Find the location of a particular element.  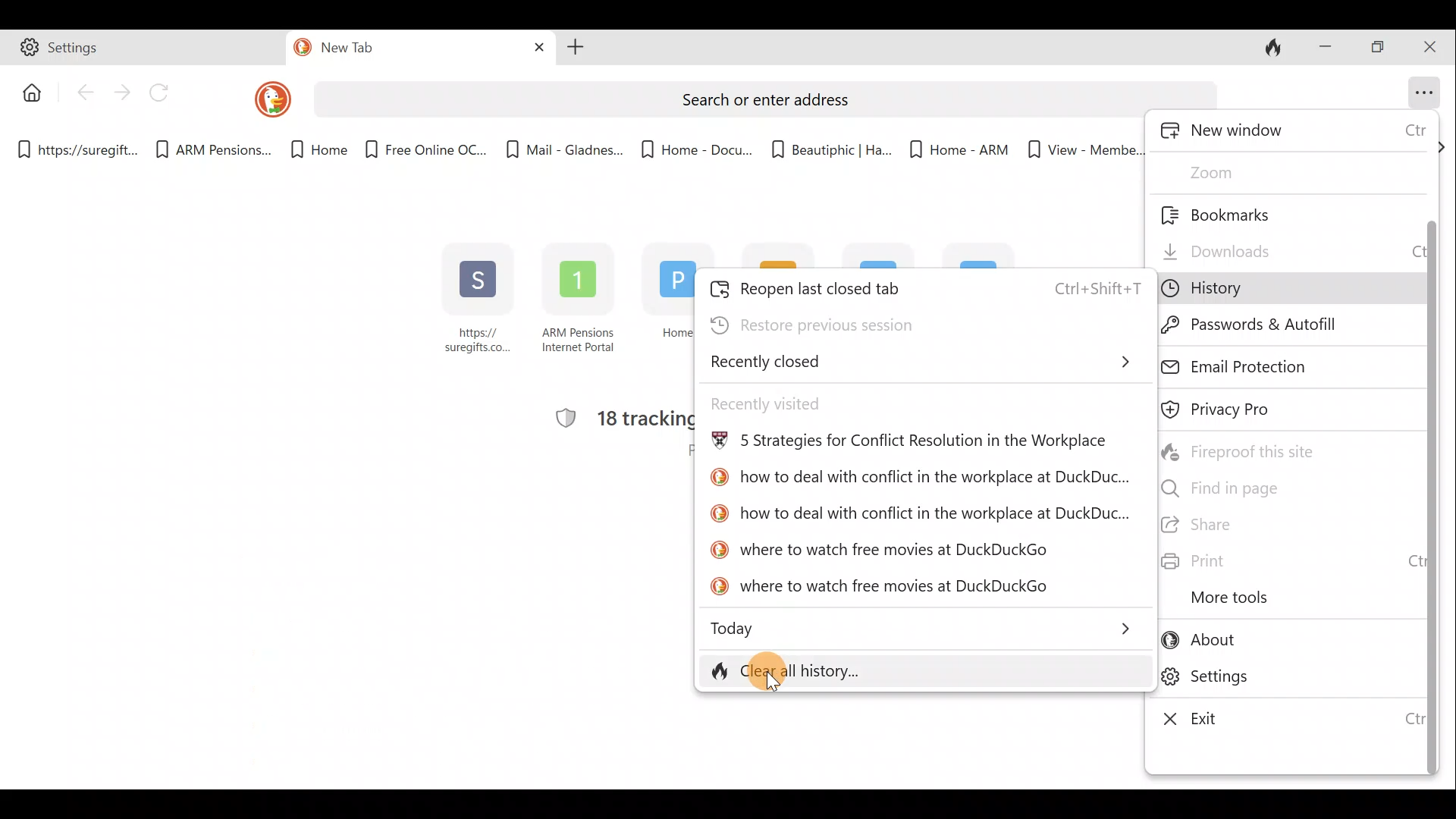

Minimize is located at coordinates (1325, 45).